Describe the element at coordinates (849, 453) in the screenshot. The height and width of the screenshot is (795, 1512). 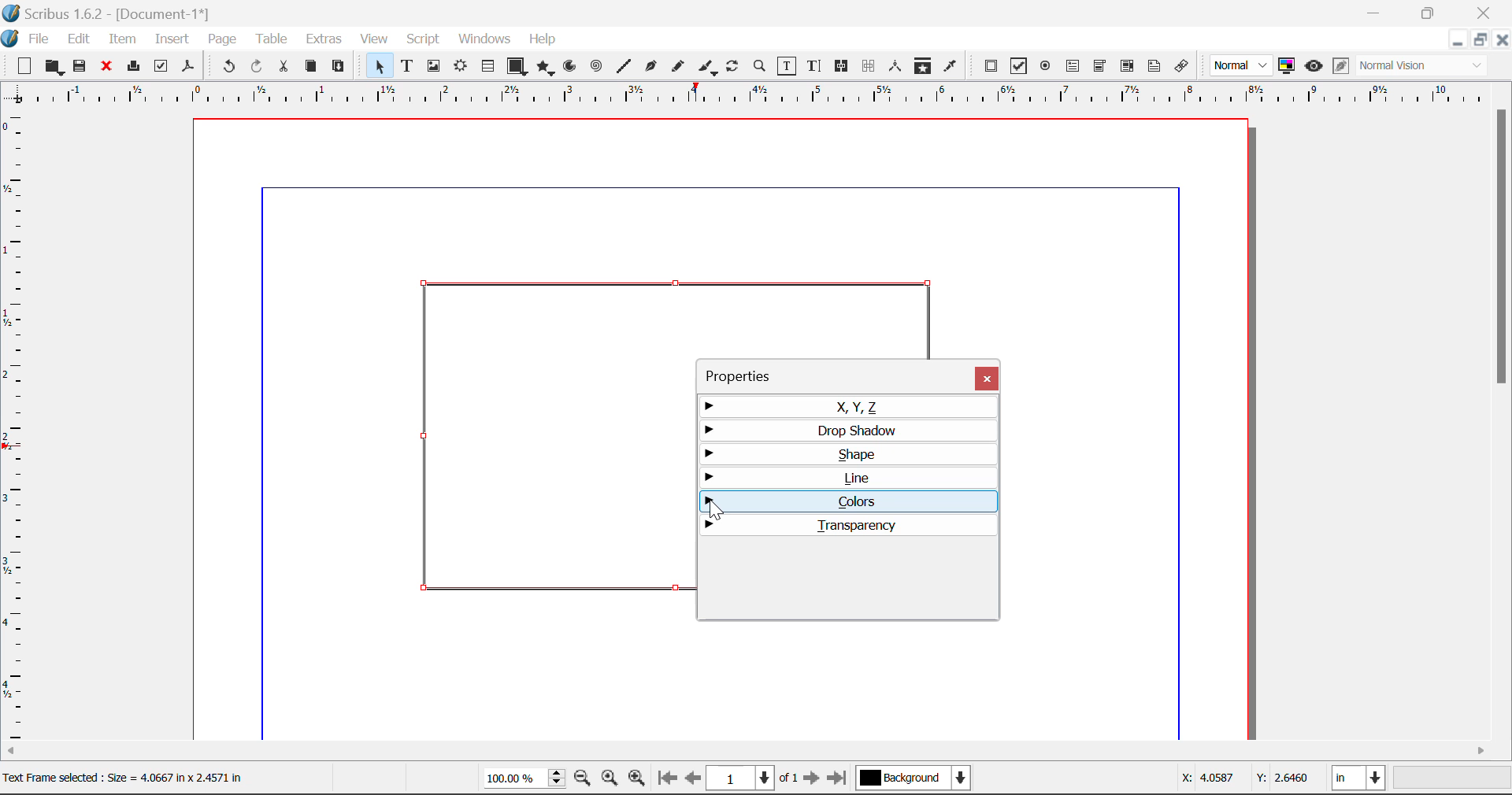
I see `Shape` at that location.